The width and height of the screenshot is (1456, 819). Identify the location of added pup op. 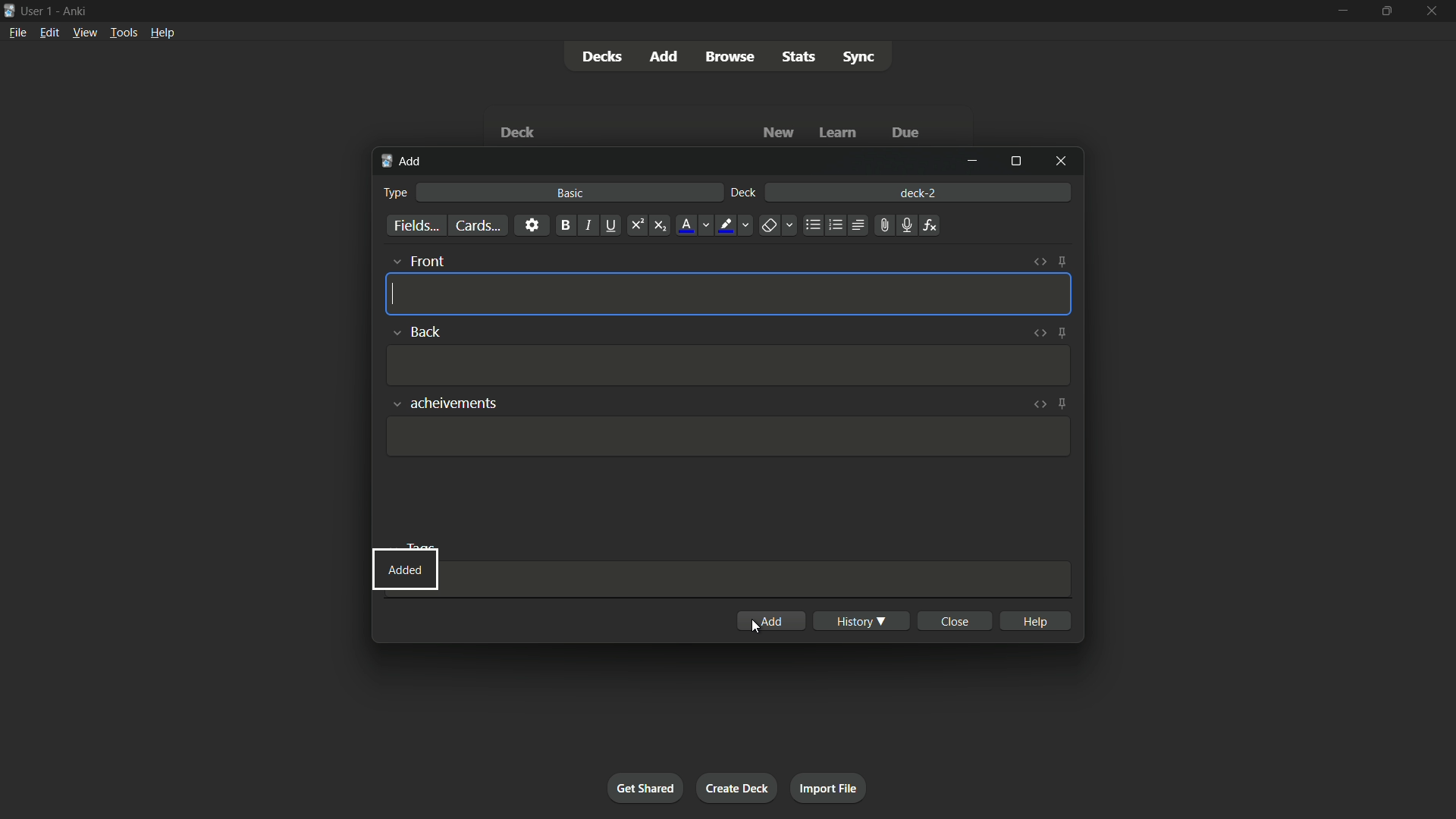
(404, 570).